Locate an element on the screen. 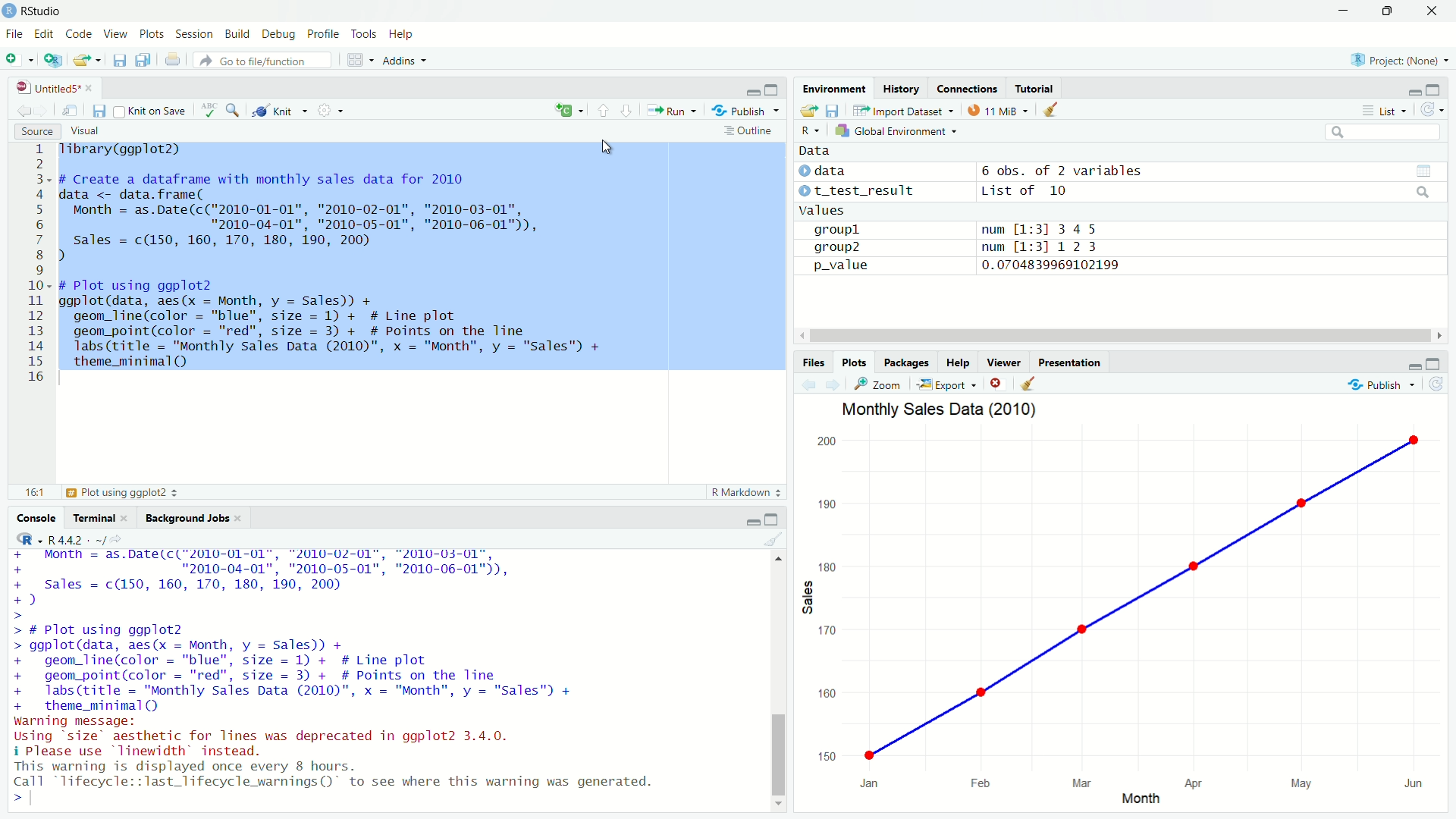  © t_test_result List of 10 is located at coordinates (935, 190).